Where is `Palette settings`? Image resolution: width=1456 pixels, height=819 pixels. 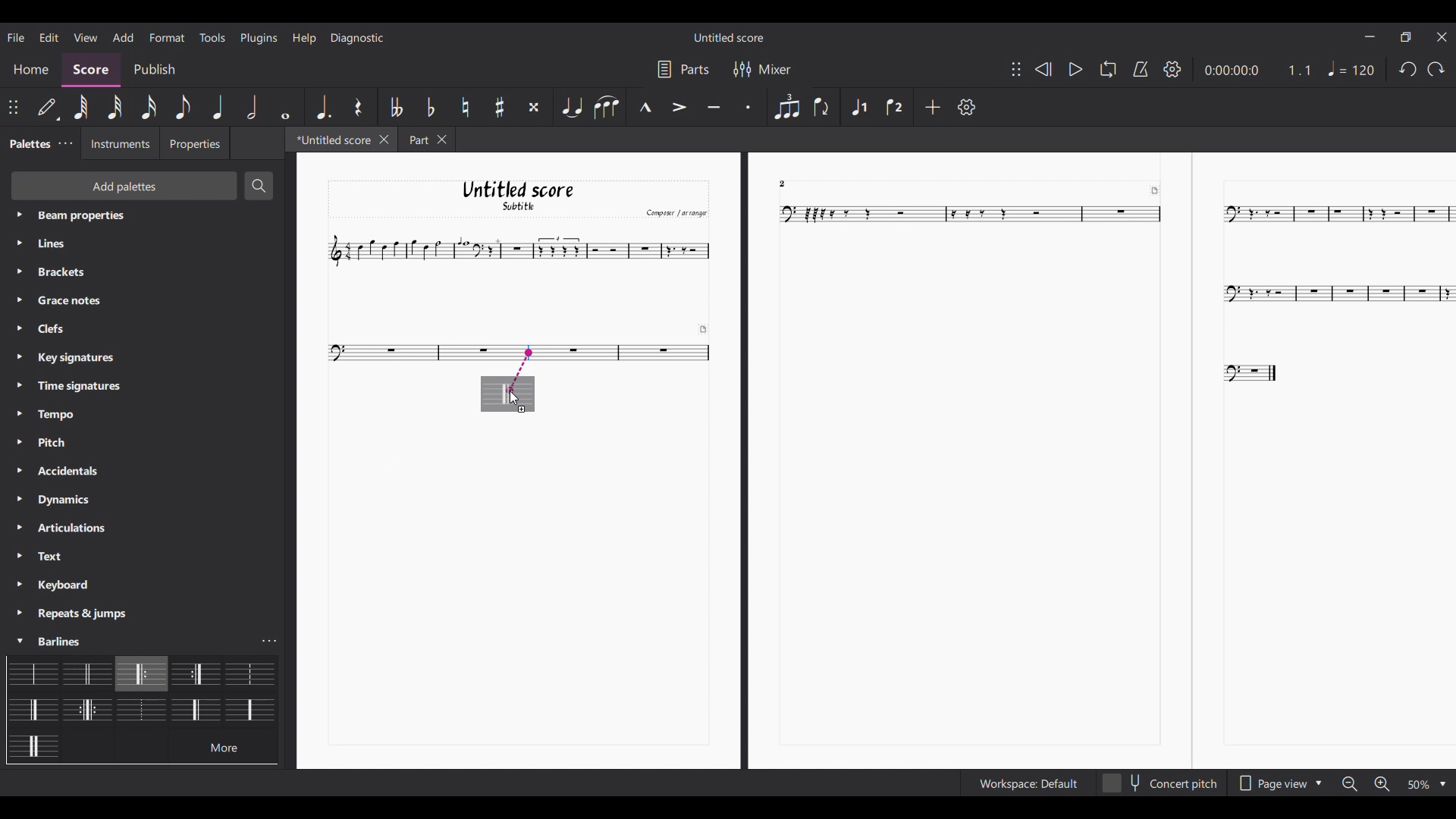 Palette settings is located at coordinates (56, 414).